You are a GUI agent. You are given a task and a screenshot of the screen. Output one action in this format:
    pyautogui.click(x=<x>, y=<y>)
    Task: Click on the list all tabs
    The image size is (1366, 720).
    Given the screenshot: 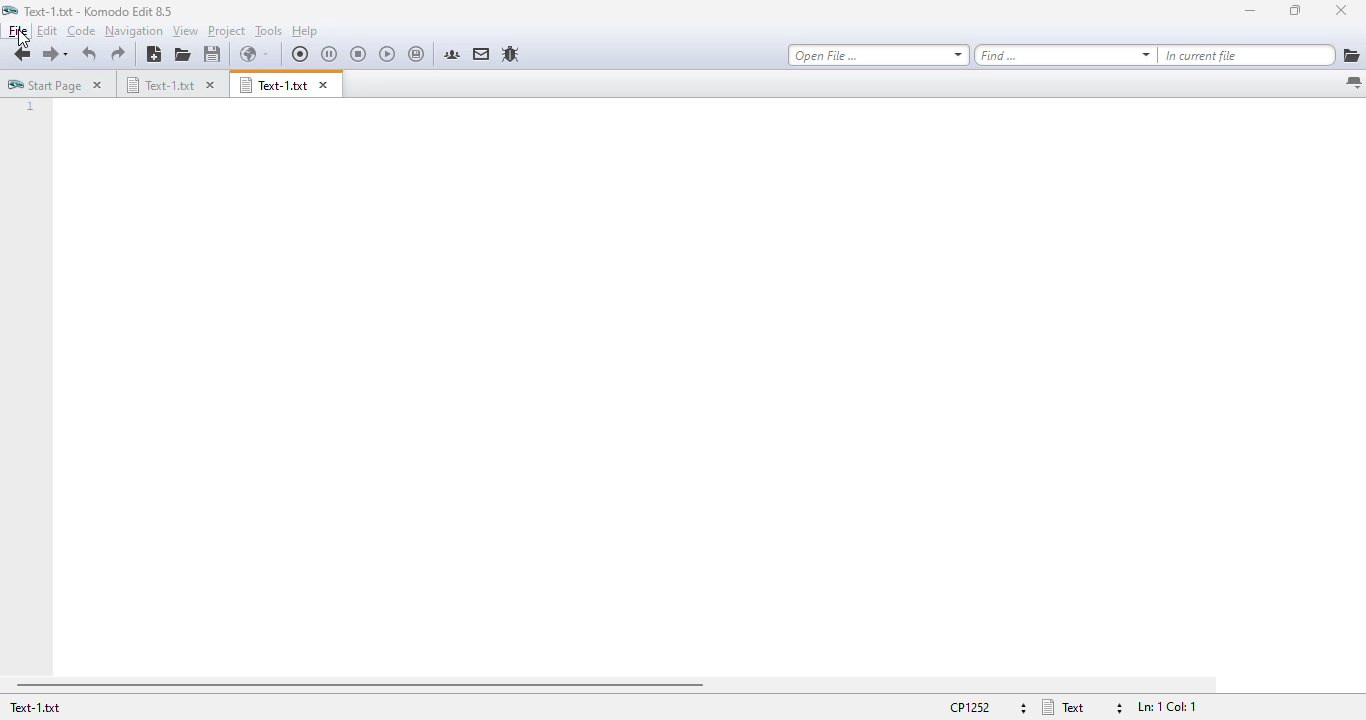 What is the action you would take?
    pyautogui.click(x=1353, y=84)
    